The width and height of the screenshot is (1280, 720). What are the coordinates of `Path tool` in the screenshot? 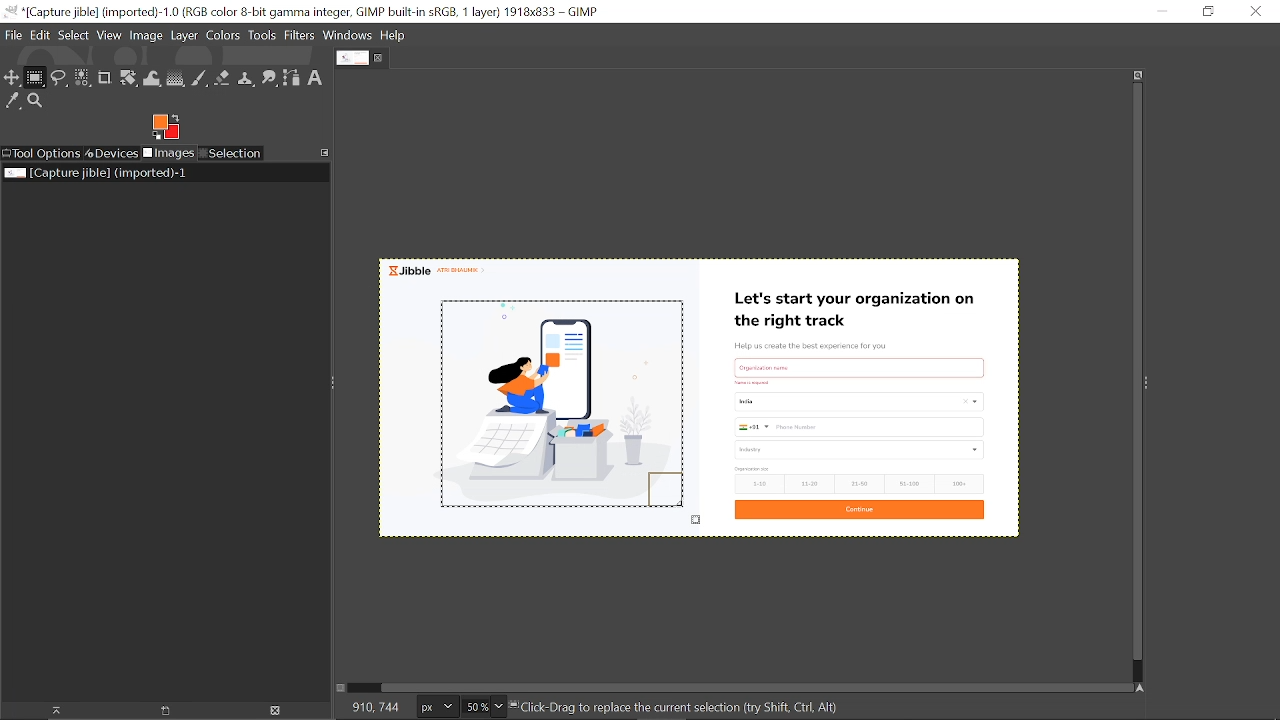 It's located at (293, 78).